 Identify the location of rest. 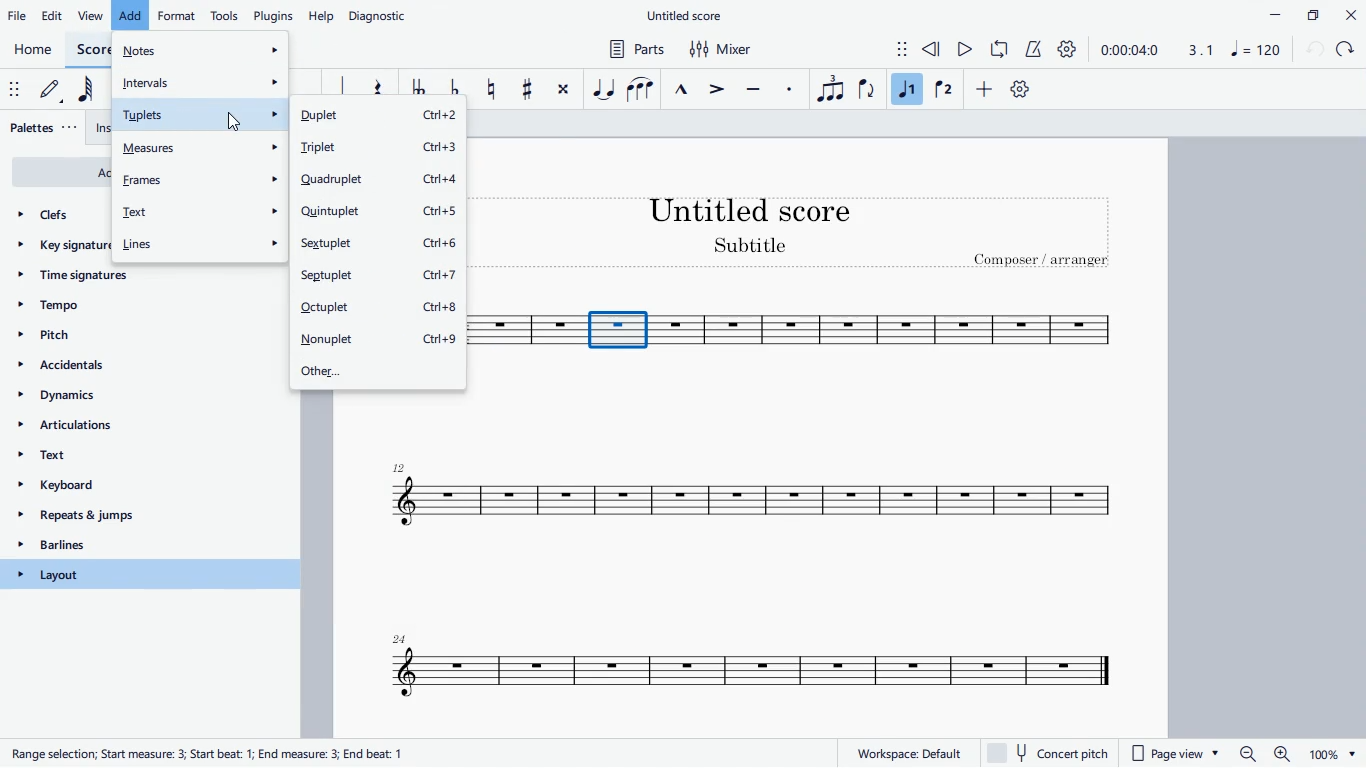
(377, 89).